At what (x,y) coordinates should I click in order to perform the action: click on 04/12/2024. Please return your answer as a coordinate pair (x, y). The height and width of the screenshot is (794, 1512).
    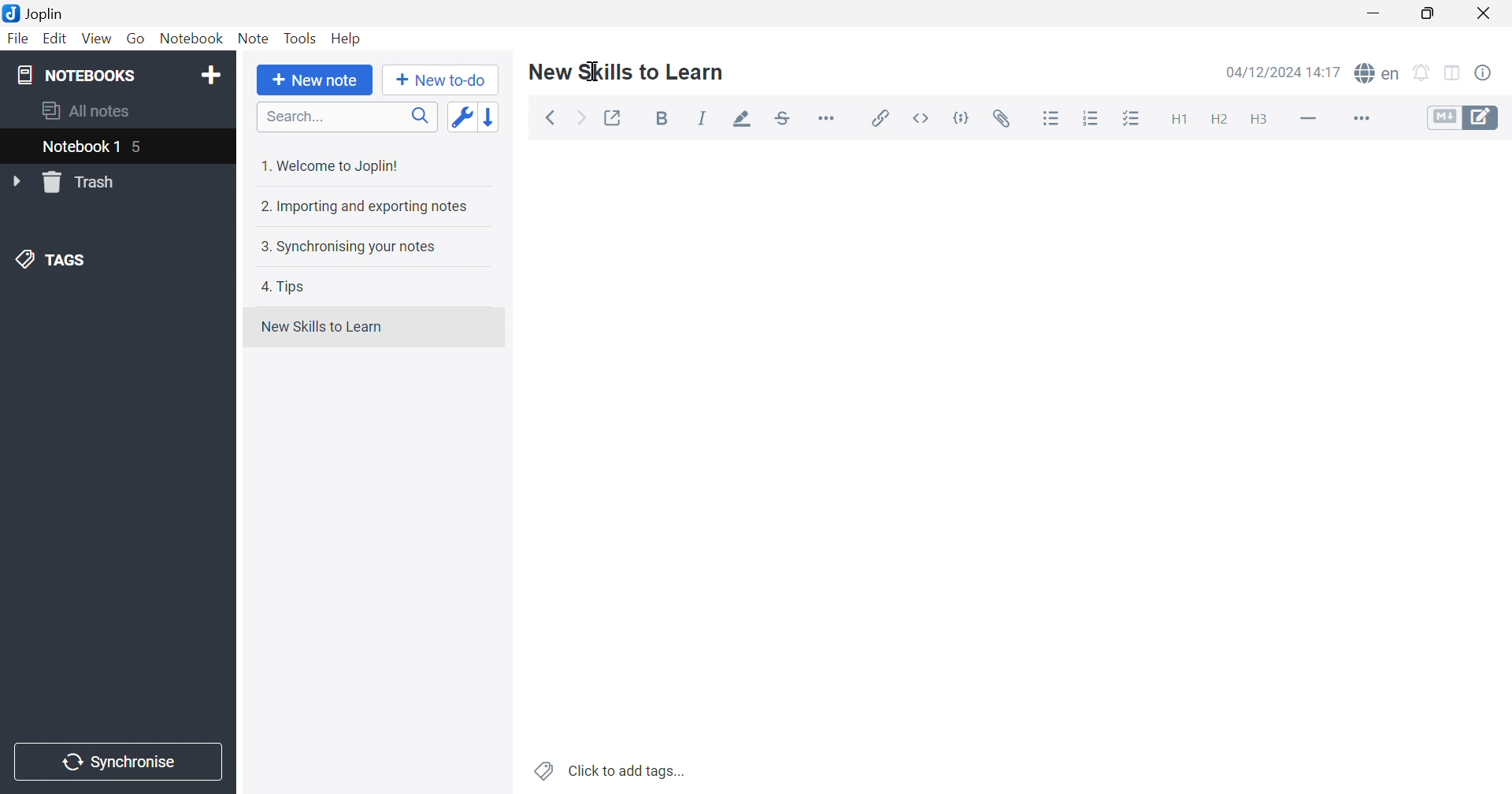
    Looking at the image, I should click on (1265, 74).